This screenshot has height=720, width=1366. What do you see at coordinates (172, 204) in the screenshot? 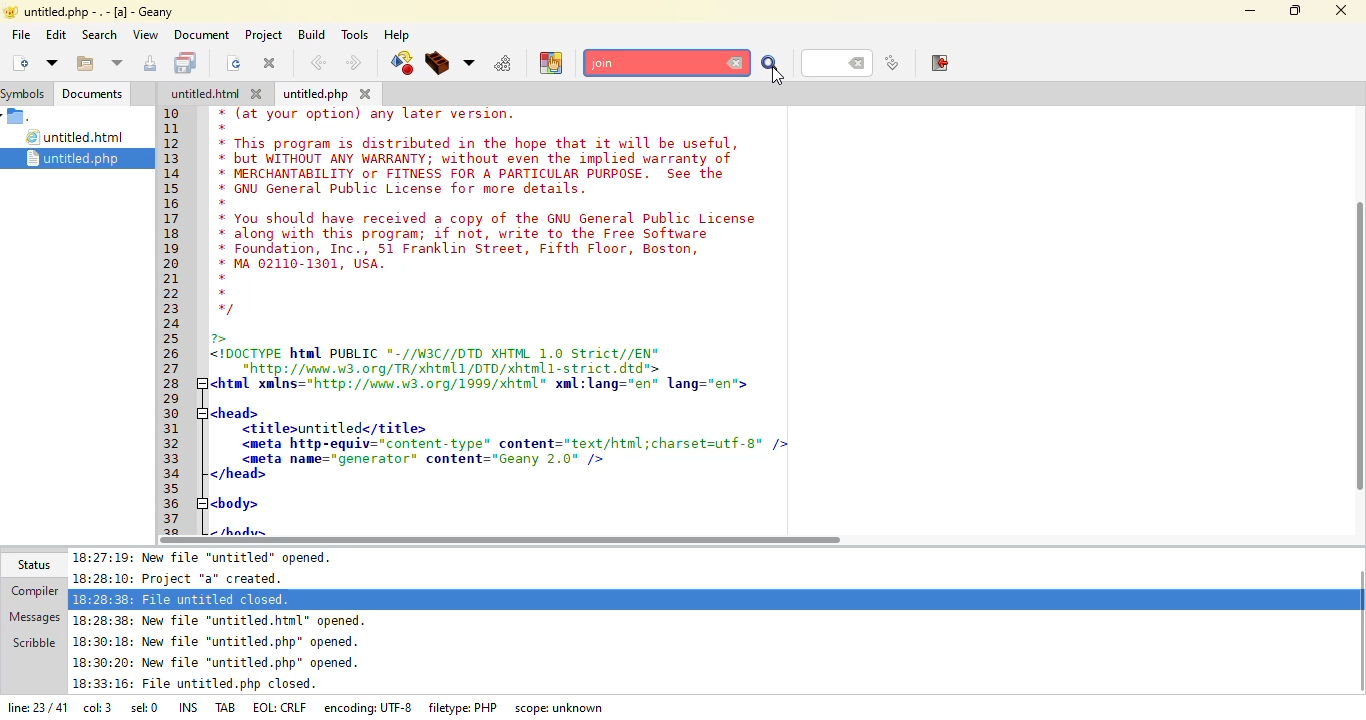
I see `16` at bounding box center [172, 204].